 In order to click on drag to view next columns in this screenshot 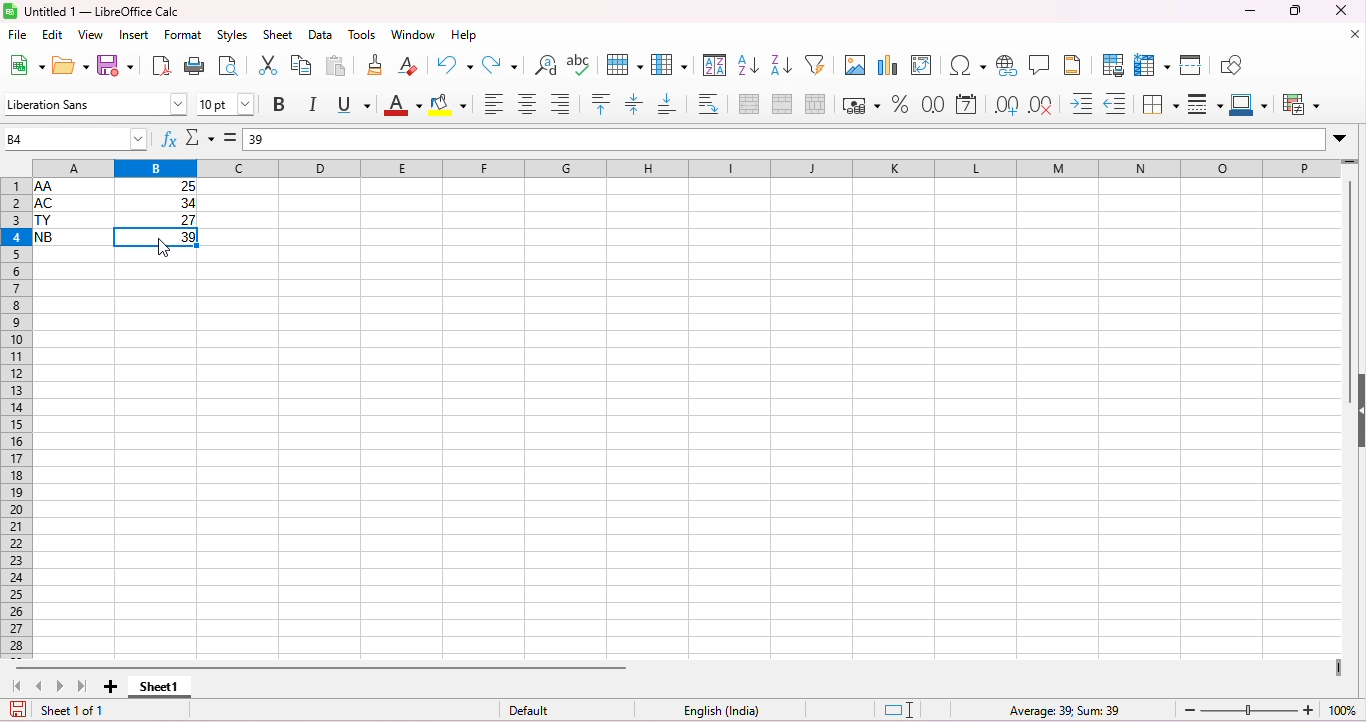, I will do `click(1337, 666)`.